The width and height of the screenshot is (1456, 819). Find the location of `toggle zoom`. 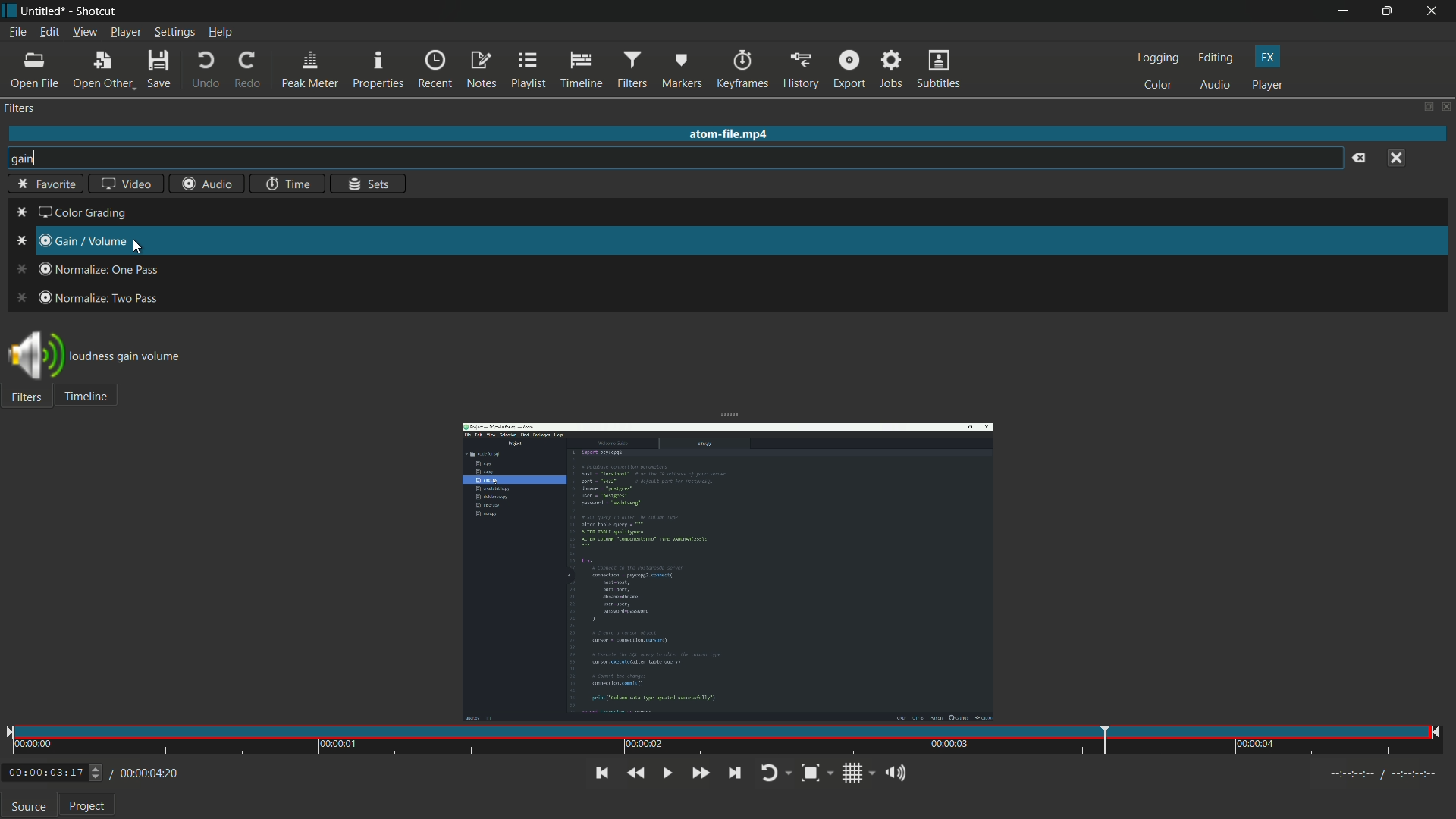

toggle zoom is located at coordinates (817, 774).